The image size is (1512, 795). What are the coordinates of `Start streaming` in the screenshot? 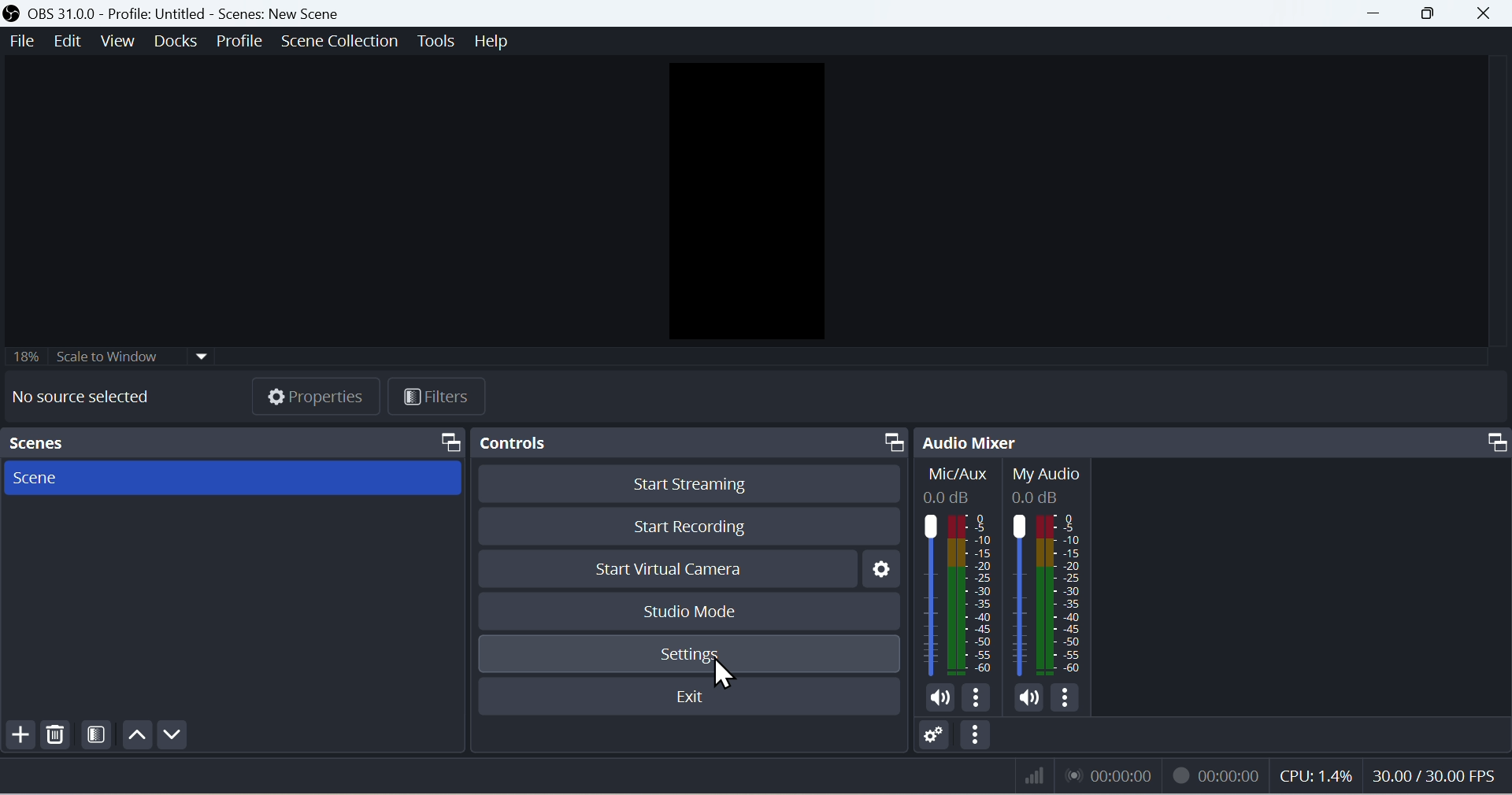 It's located at (687, 483).